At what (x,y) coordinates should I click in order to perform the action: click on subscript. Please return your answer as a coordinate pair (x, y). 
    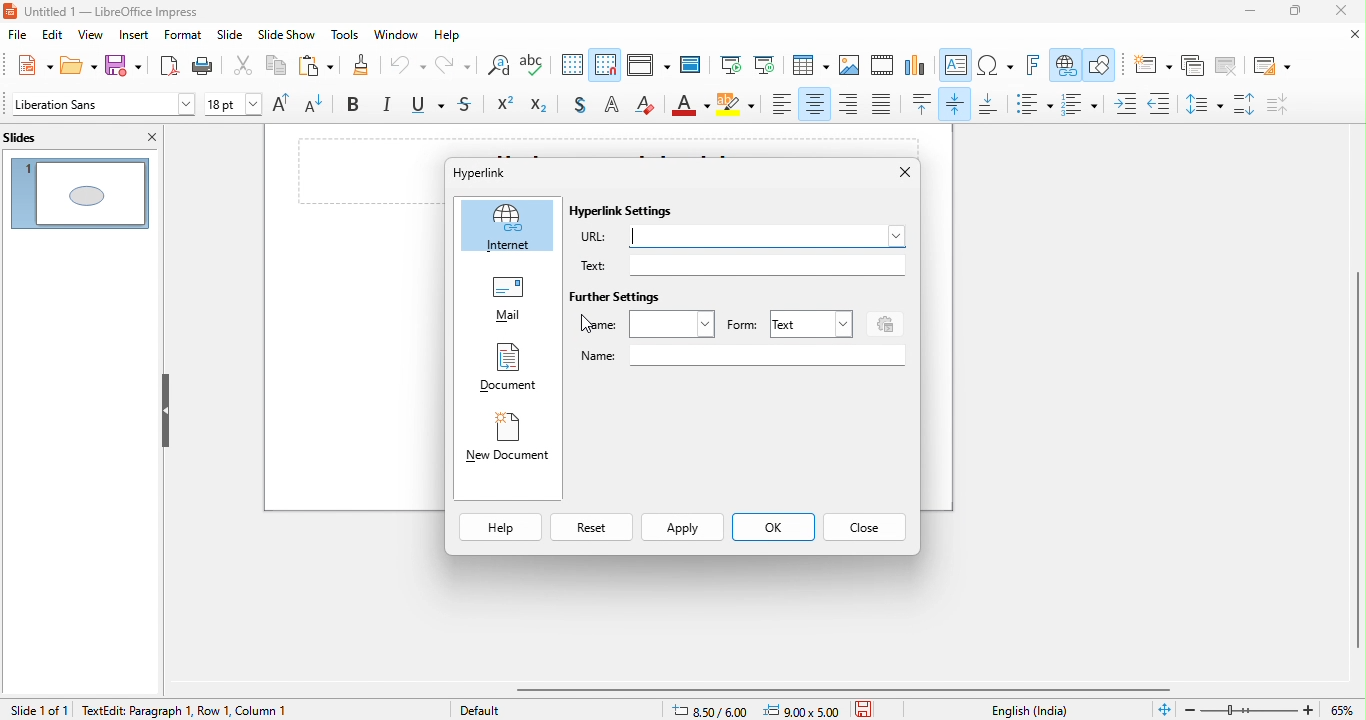
    Looking at the image, I should click on (543, 106).